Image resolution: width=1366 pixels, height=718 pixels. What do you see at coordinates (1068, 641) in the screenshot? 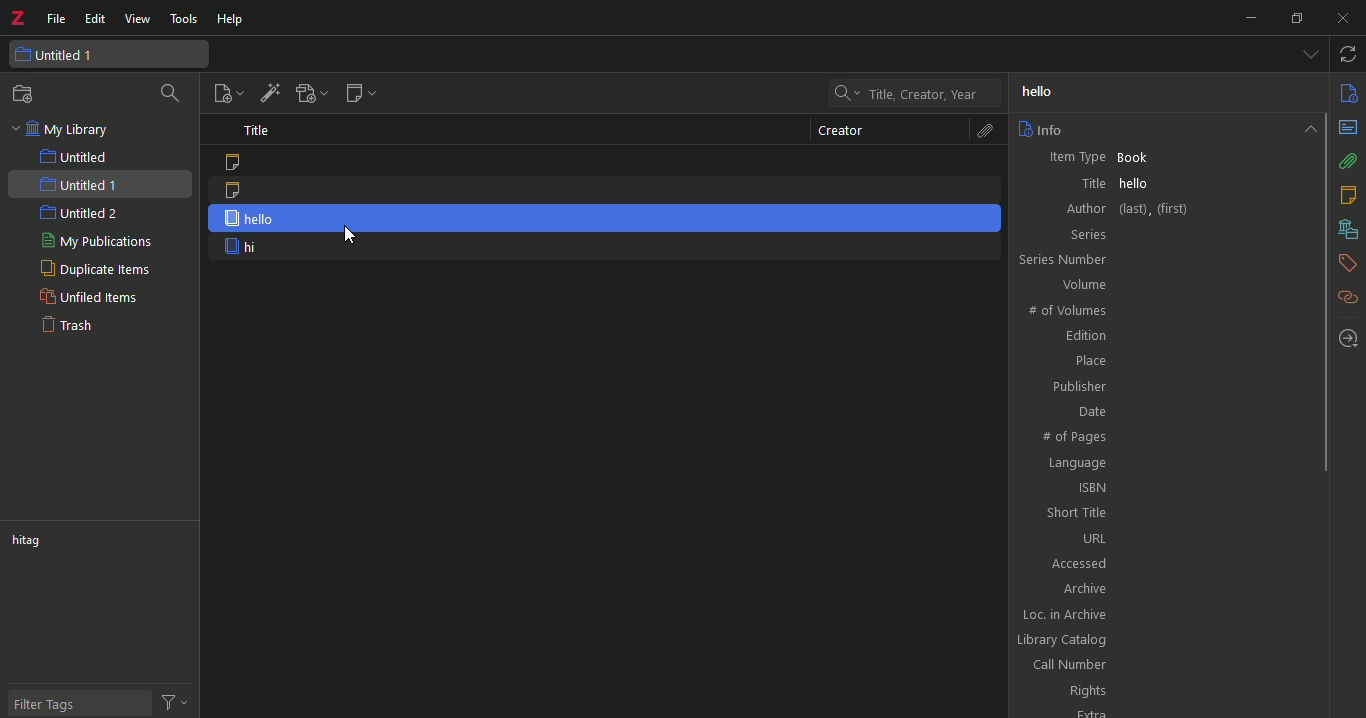
I see `library catalog` at bounding box center [1068, 641].